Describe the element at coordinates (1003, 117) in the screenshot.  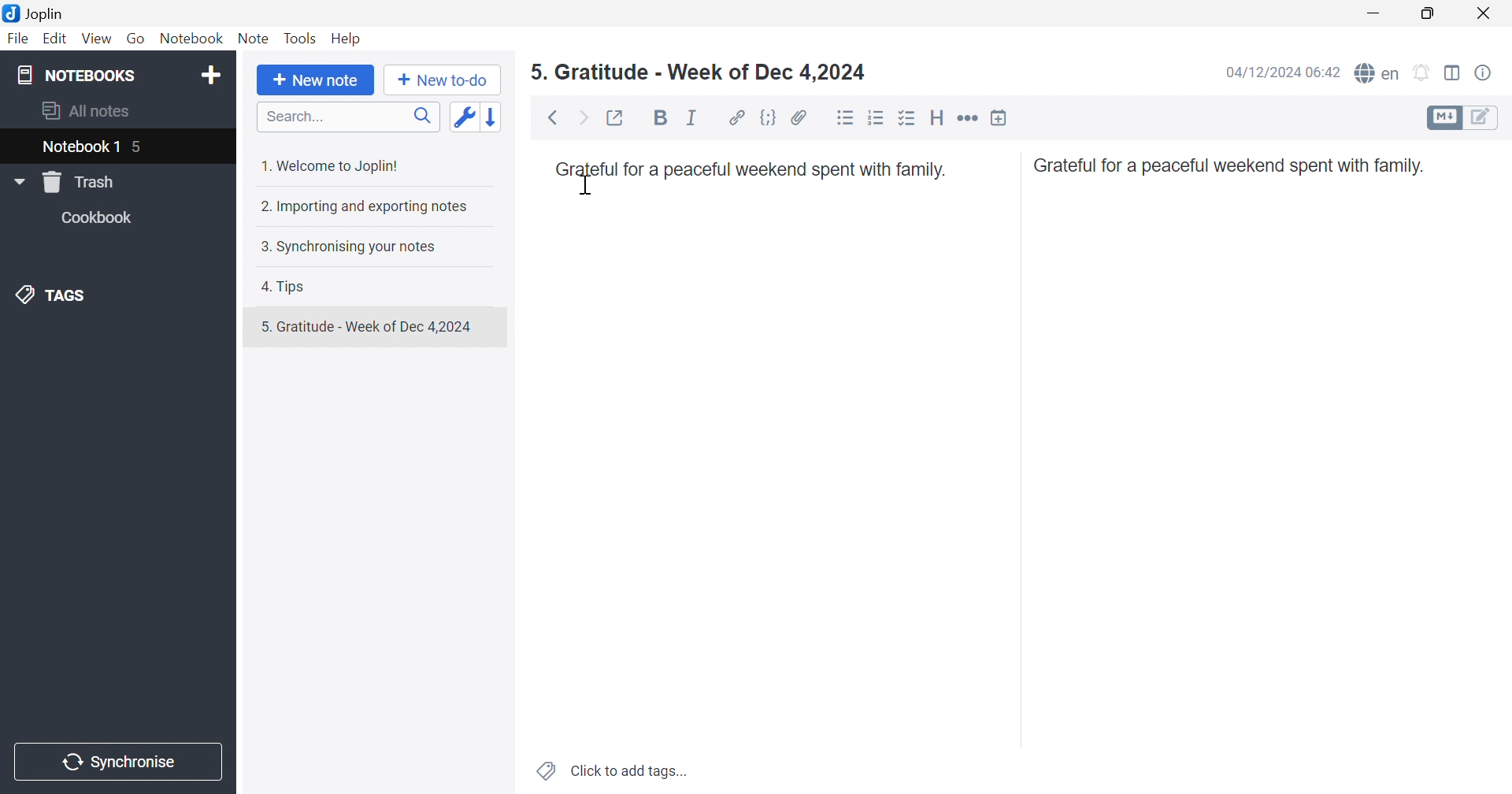
I see `Insert time` at that location.